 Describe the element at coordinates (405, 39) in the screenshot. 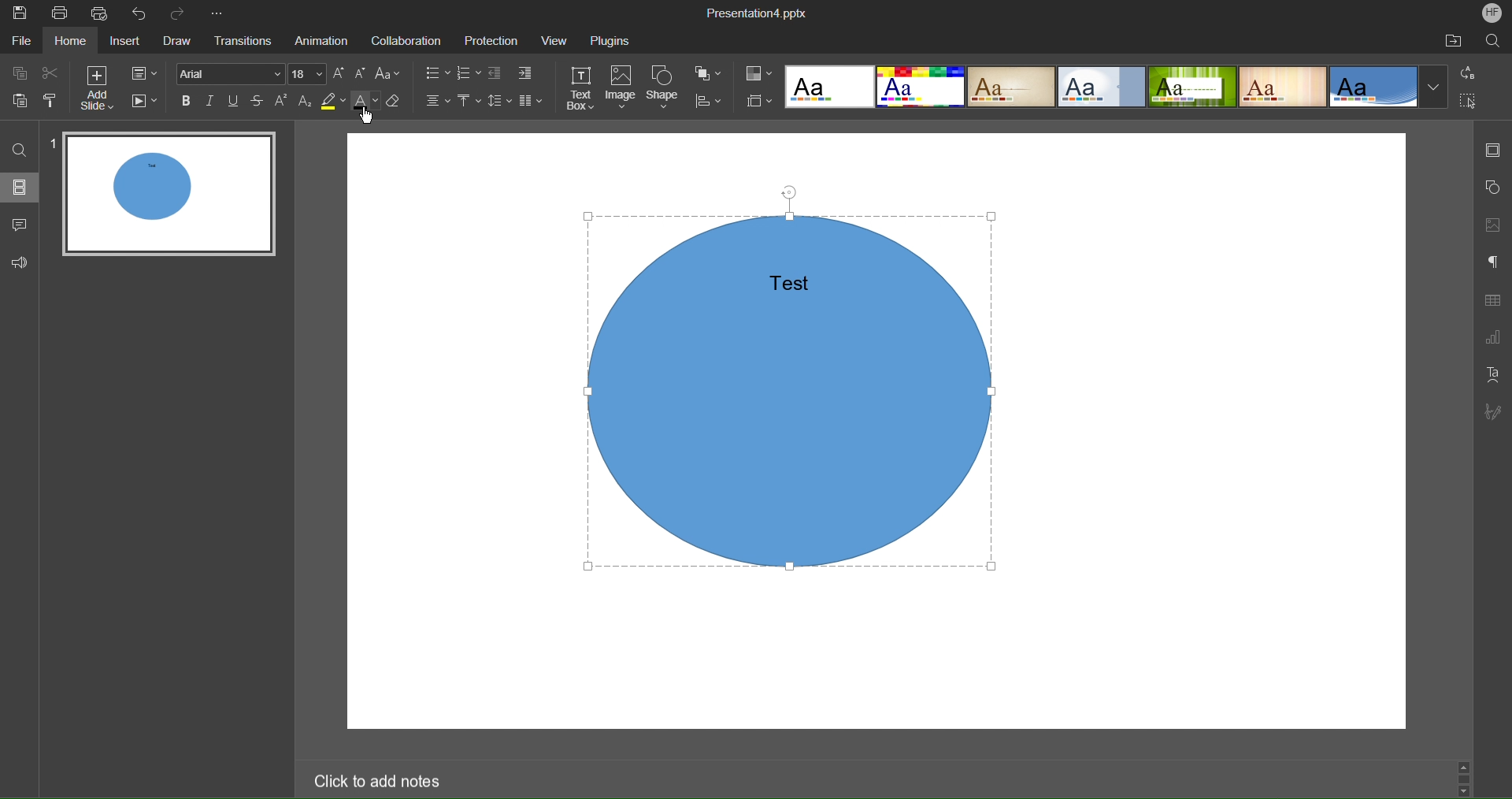

I see `Collaboration` at that location.